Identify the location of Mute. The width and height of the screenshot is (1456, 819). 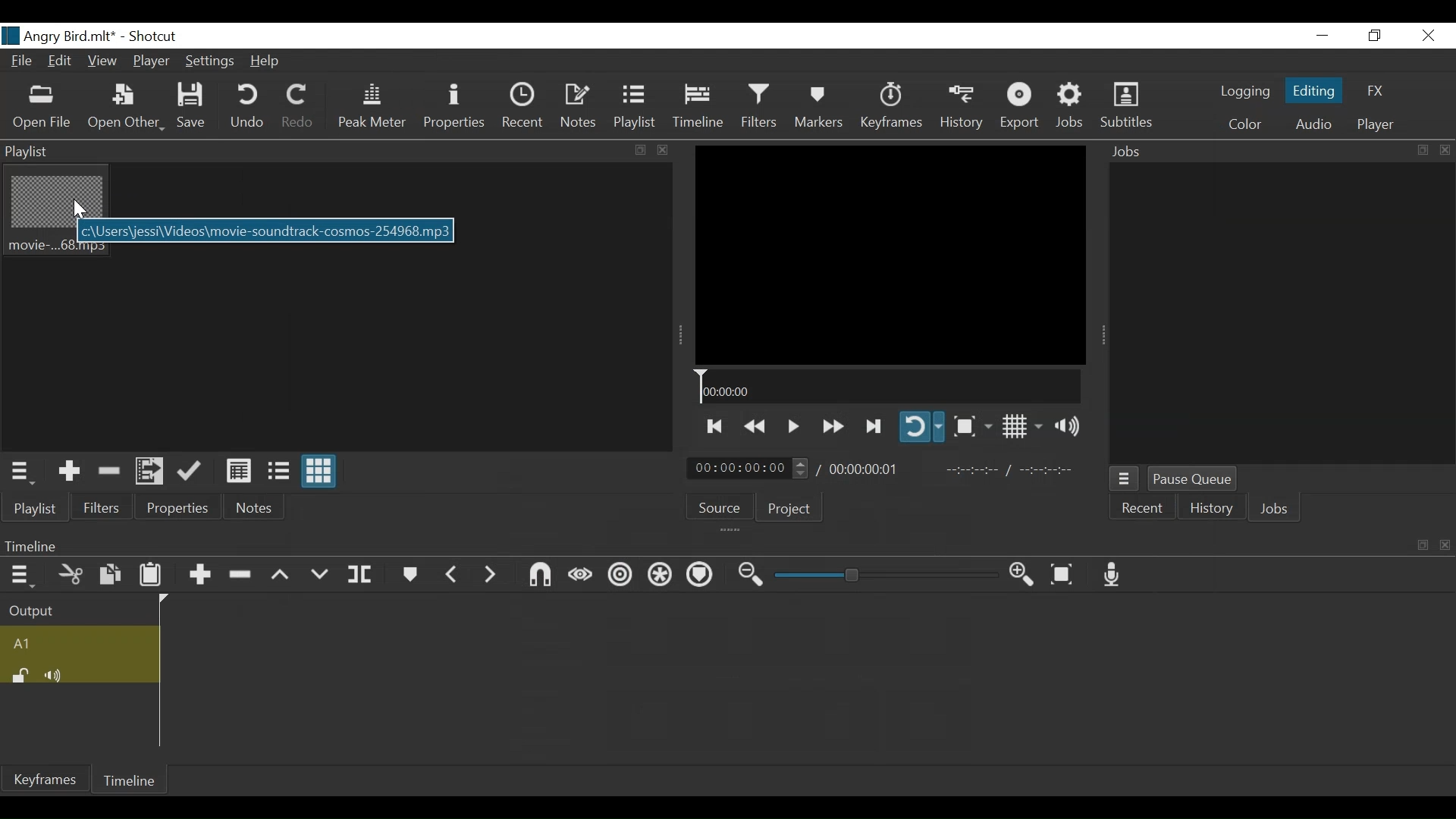
(56, 674).